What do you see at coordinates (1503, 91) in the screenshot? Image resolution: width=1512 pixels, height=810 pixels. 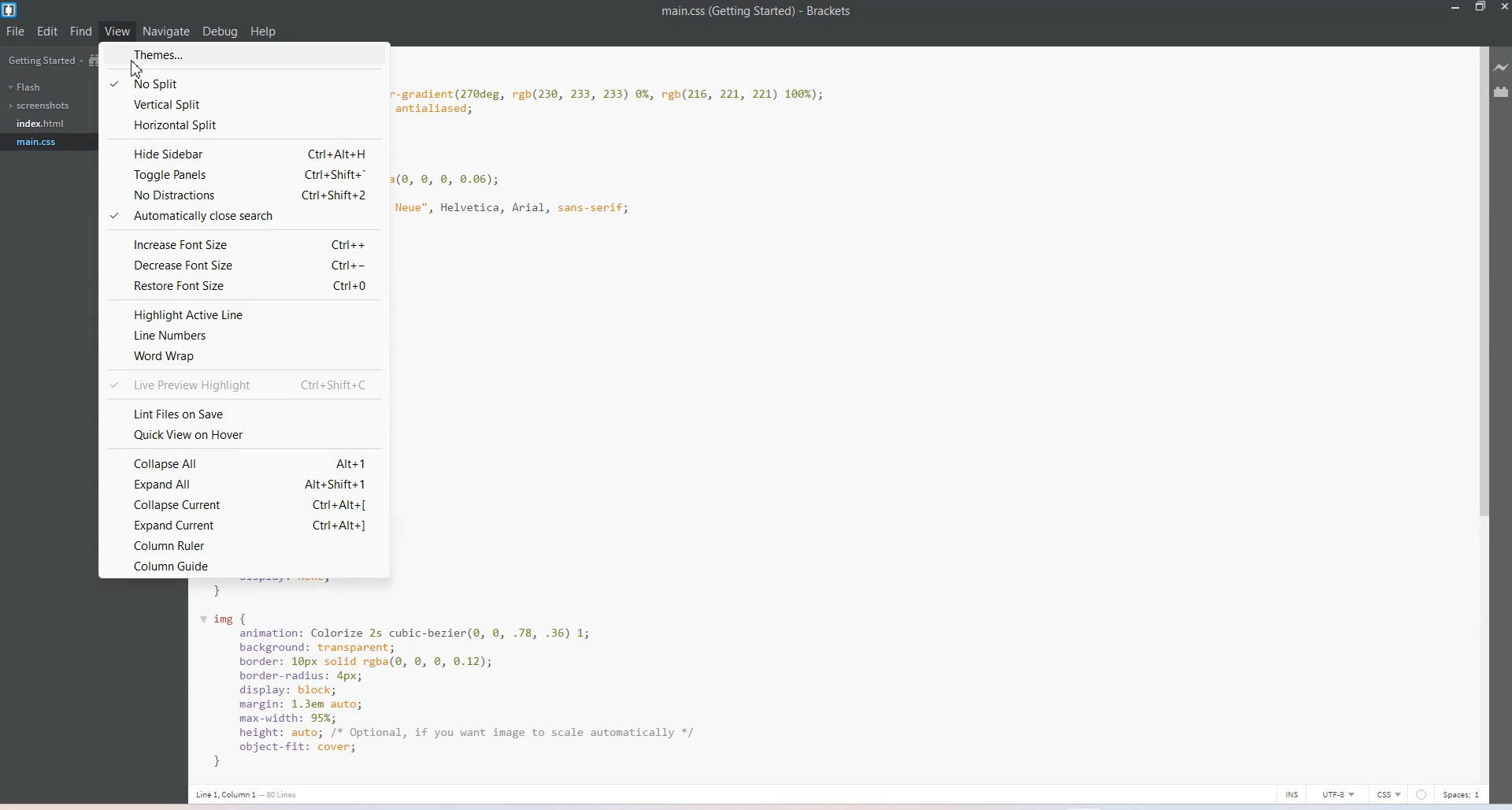 I see `Extension manager` at bounding box center [1503, 91].